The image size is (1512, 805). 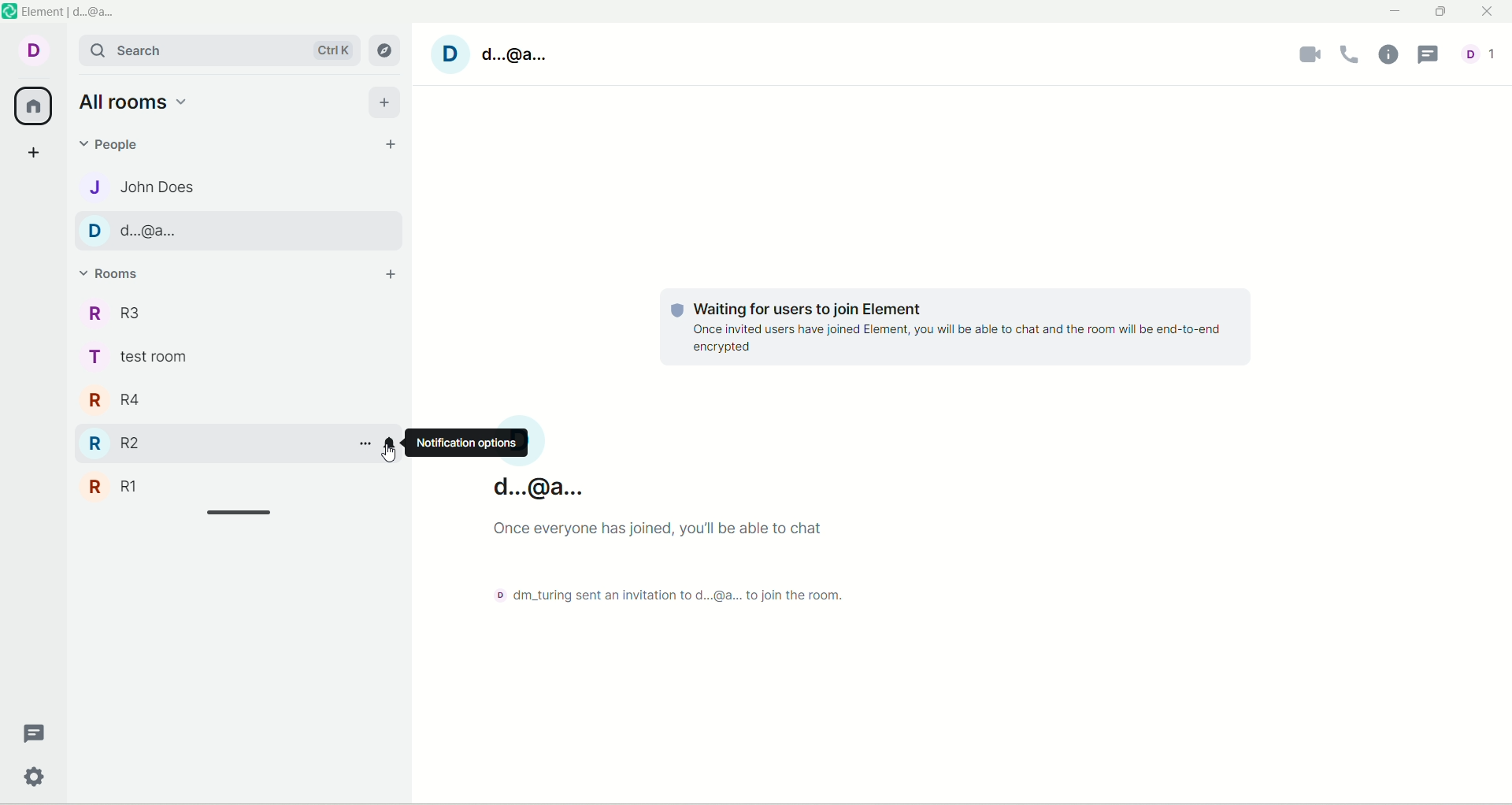 What do you see at coordinates (140, 485) in the screenshot?
I see `room 1` at bounding box center [140, 485].